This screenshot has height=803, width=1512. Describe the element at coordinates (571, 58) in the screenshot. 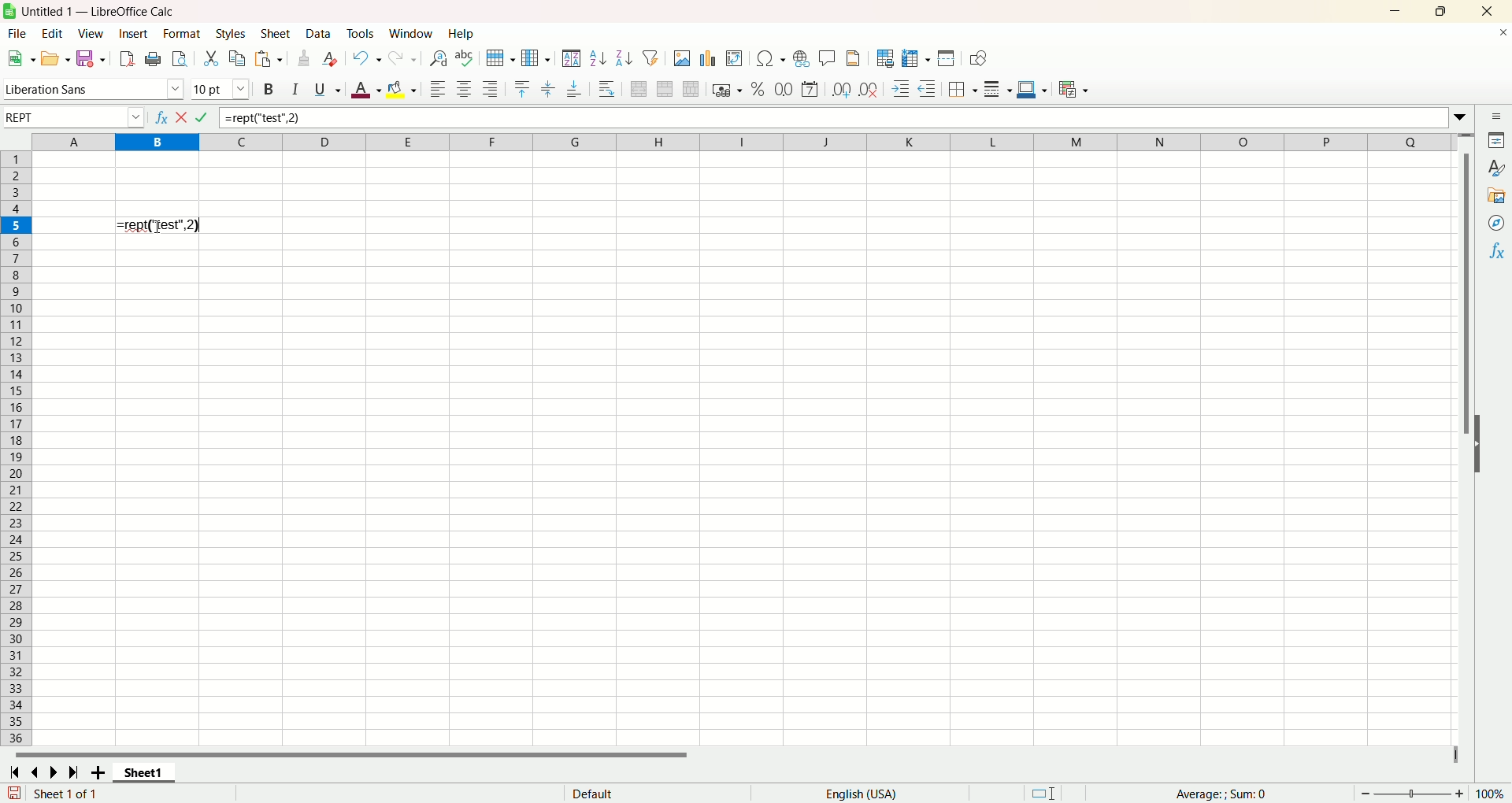

I see `sort` at that location.